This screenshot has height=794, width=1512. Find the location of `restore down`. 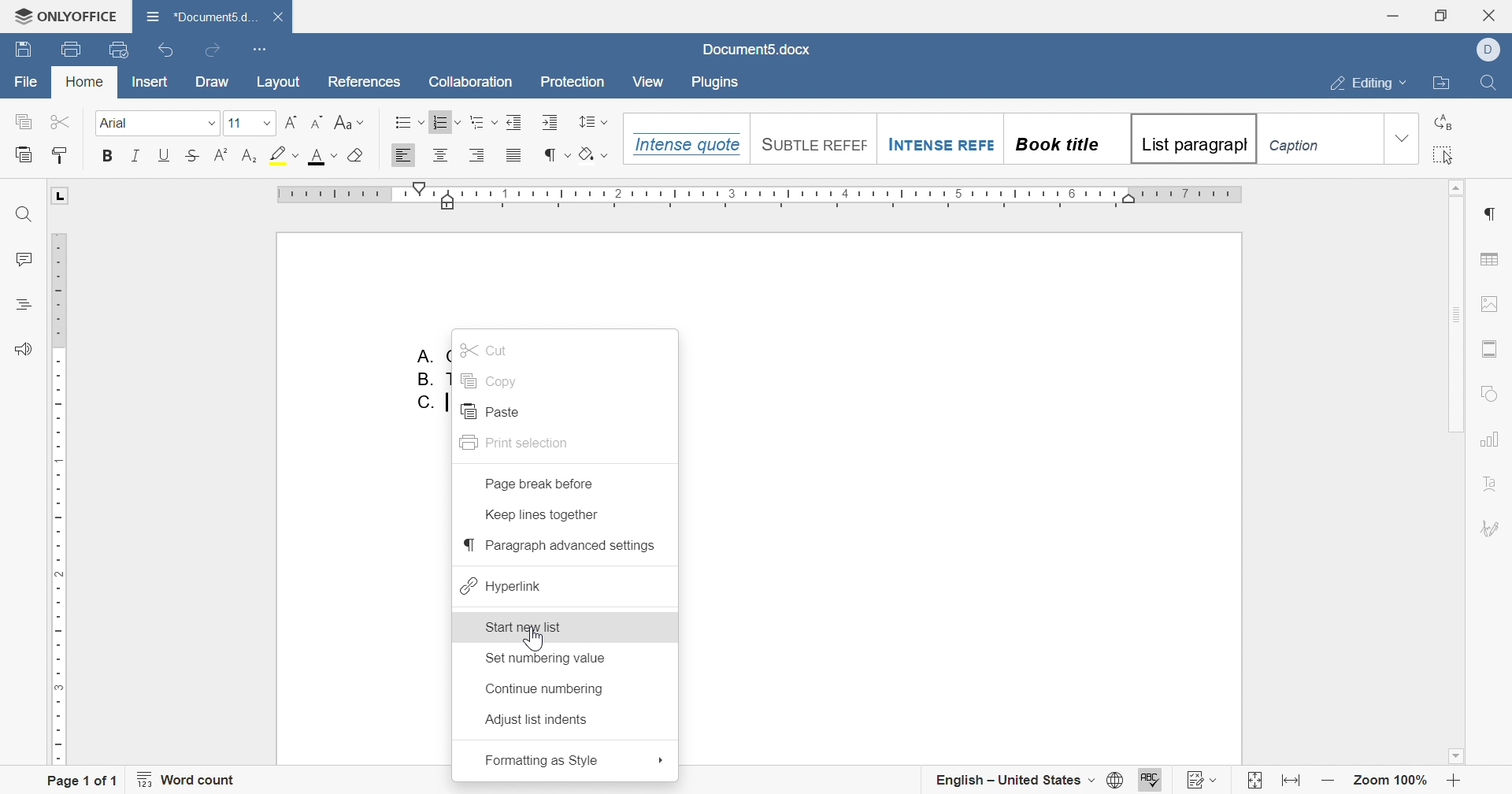

restore down is located at coordinates (1441, 15).